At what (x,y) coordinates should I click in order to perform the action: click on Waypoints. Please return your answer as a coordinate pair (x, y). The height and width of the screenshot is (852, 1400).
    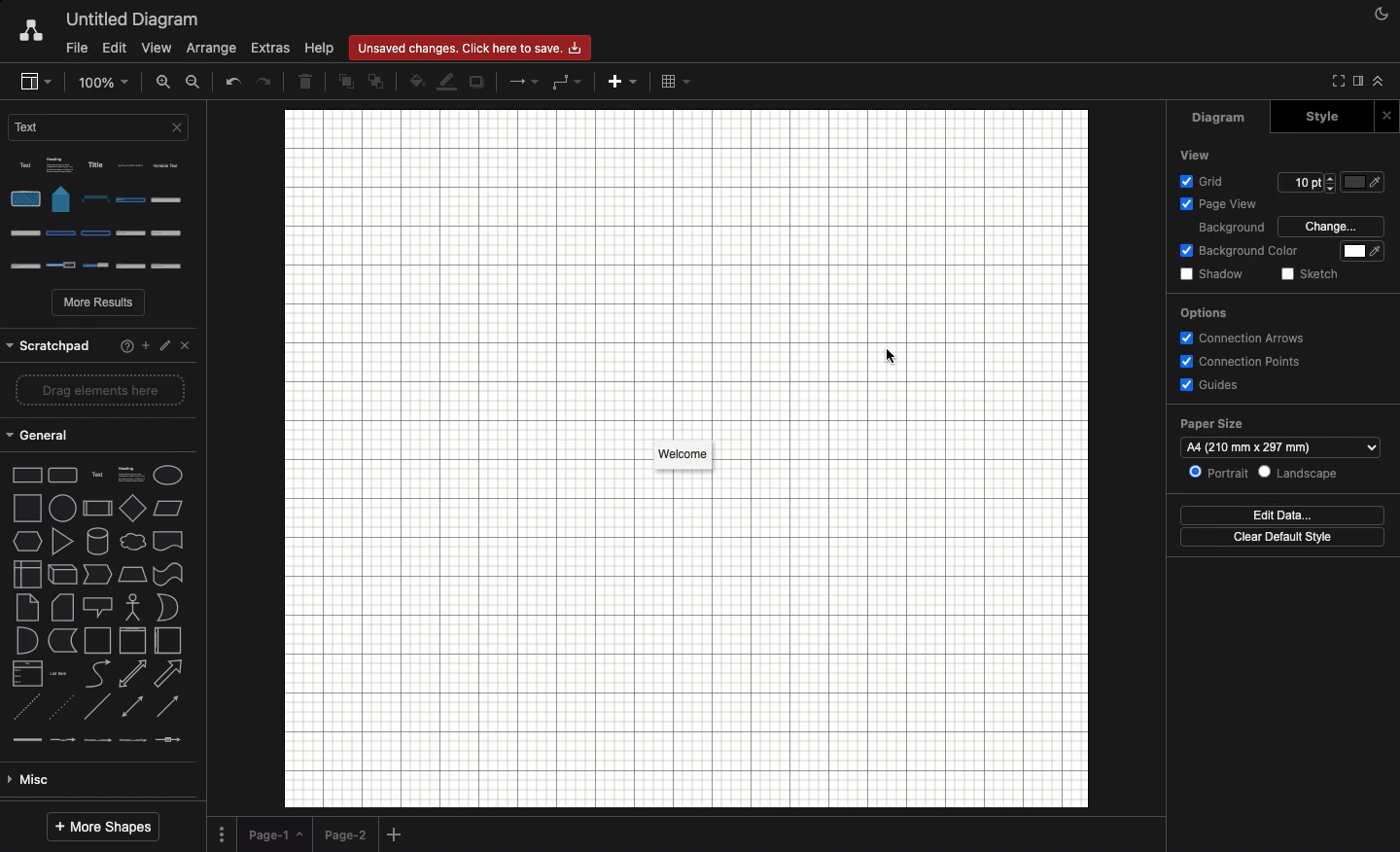
    Looking at the image, I should click on (567, 83).